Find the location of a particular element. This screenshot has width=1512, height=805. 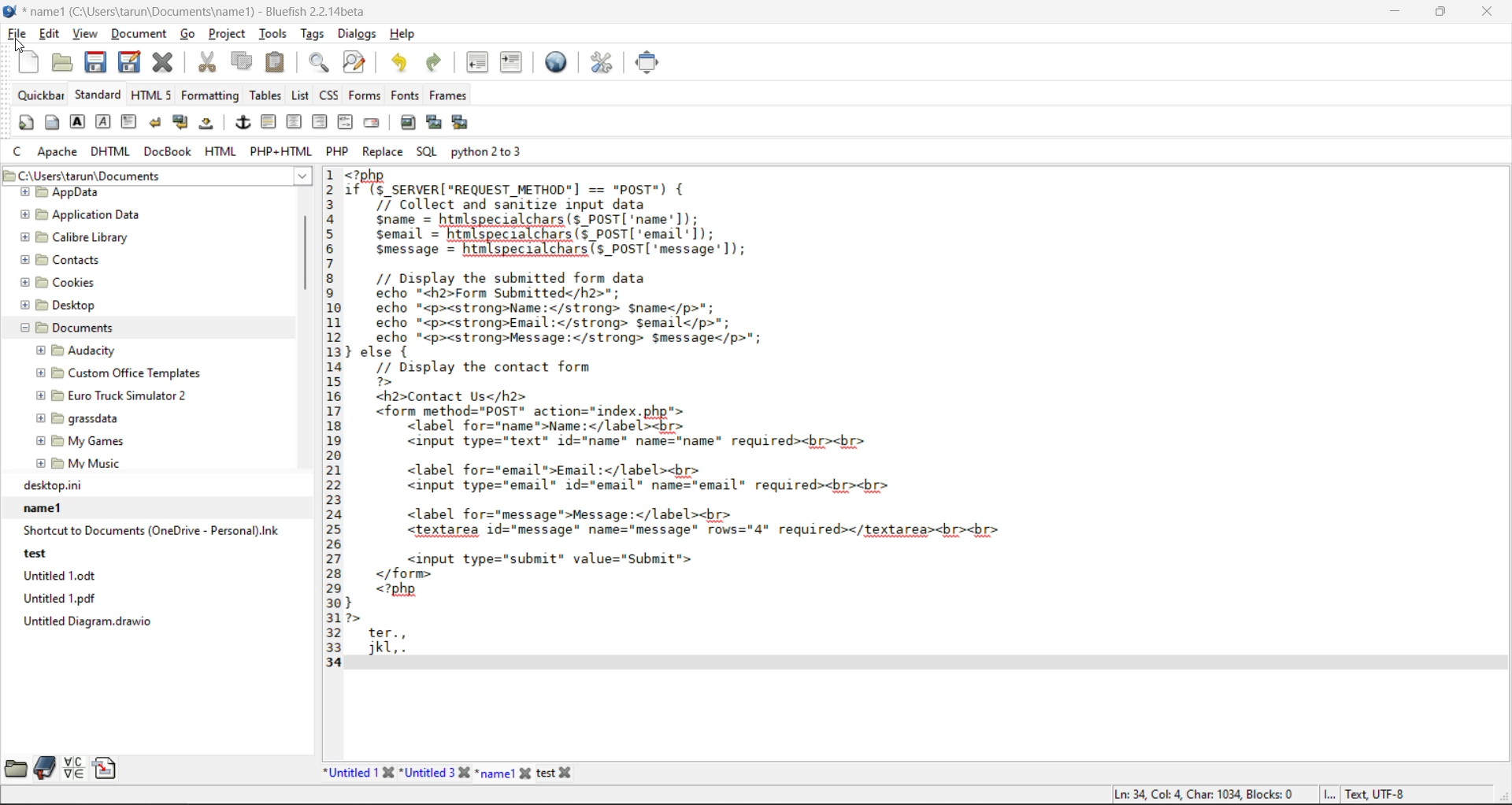

code editor is located at coordinates (765, 422).